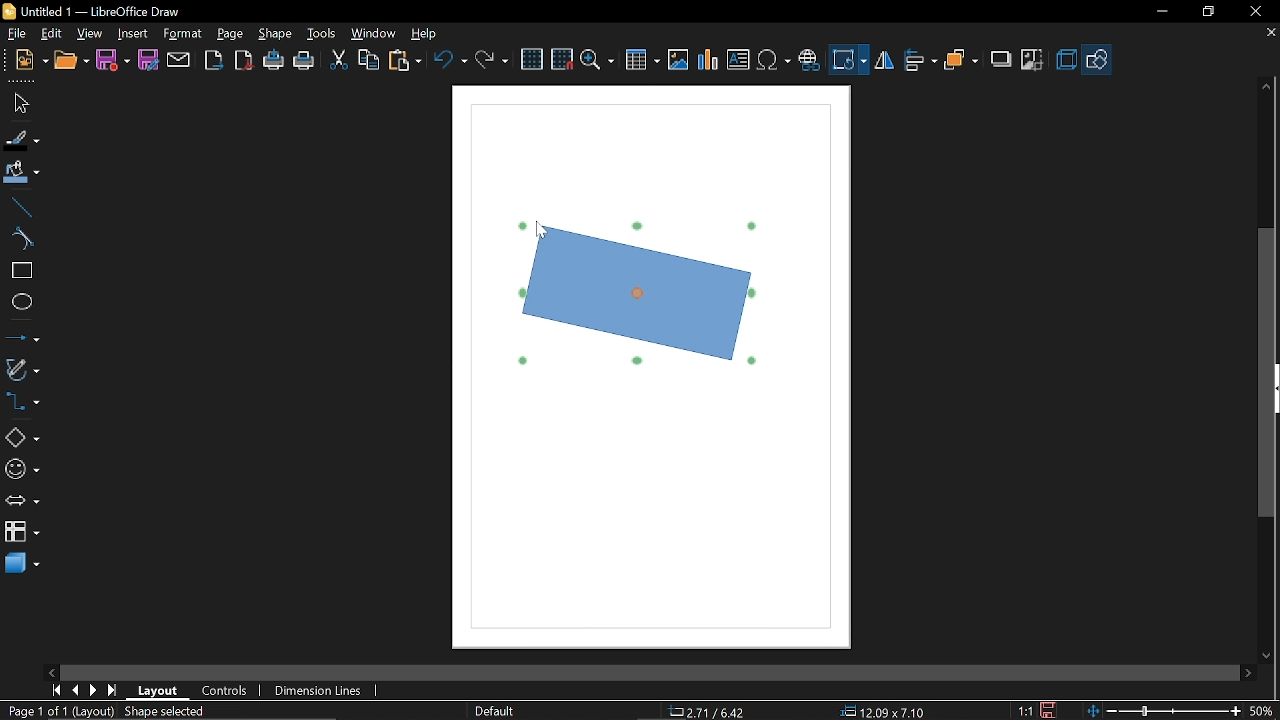 The height and width of the screenshot is (720, 1280). Describe the element at coordinates (305, 62) in the screenshot. I see `print` at that location.